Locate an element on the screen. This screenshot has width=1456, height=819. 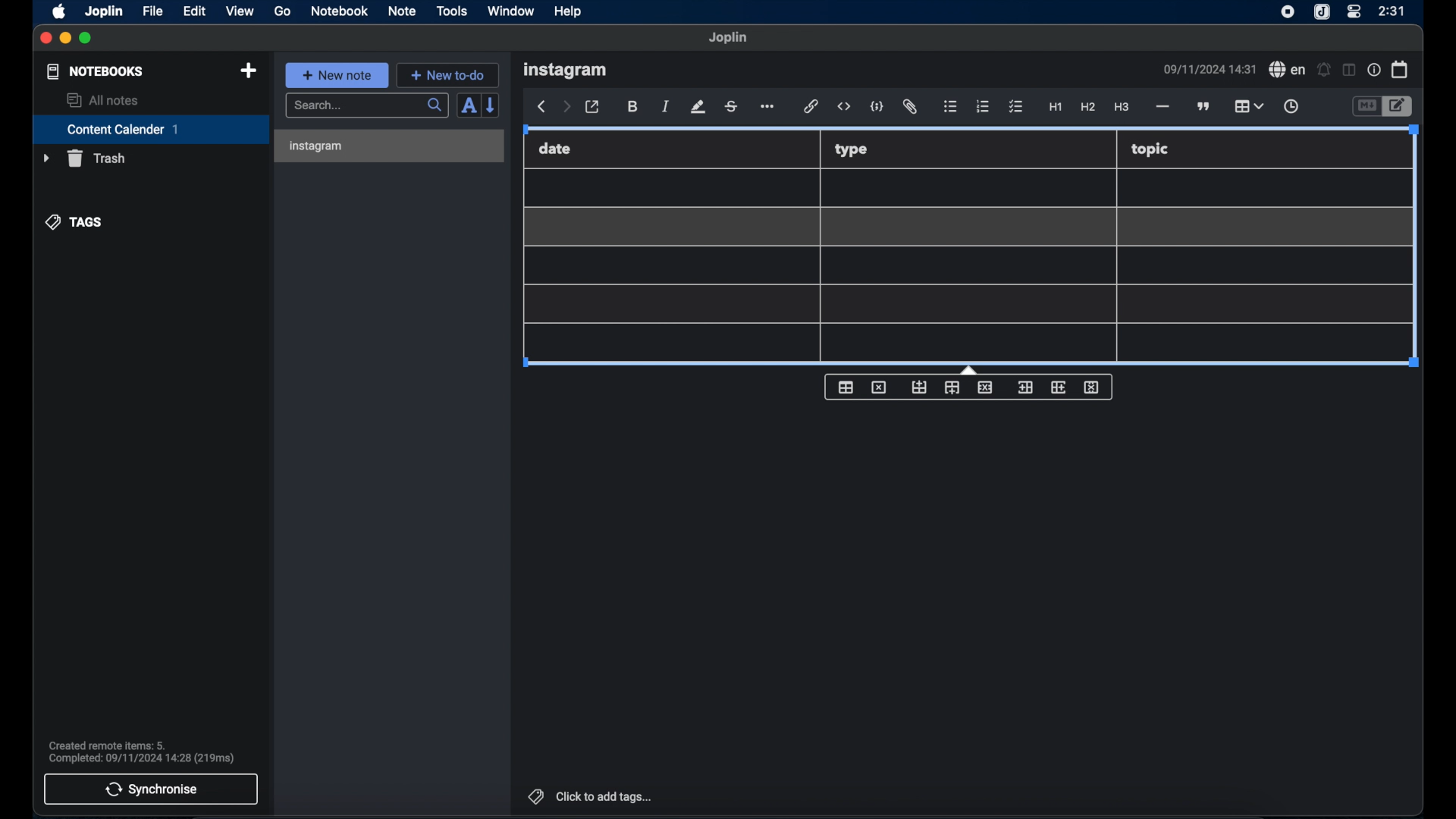
close is located at coordinates (45, 39).